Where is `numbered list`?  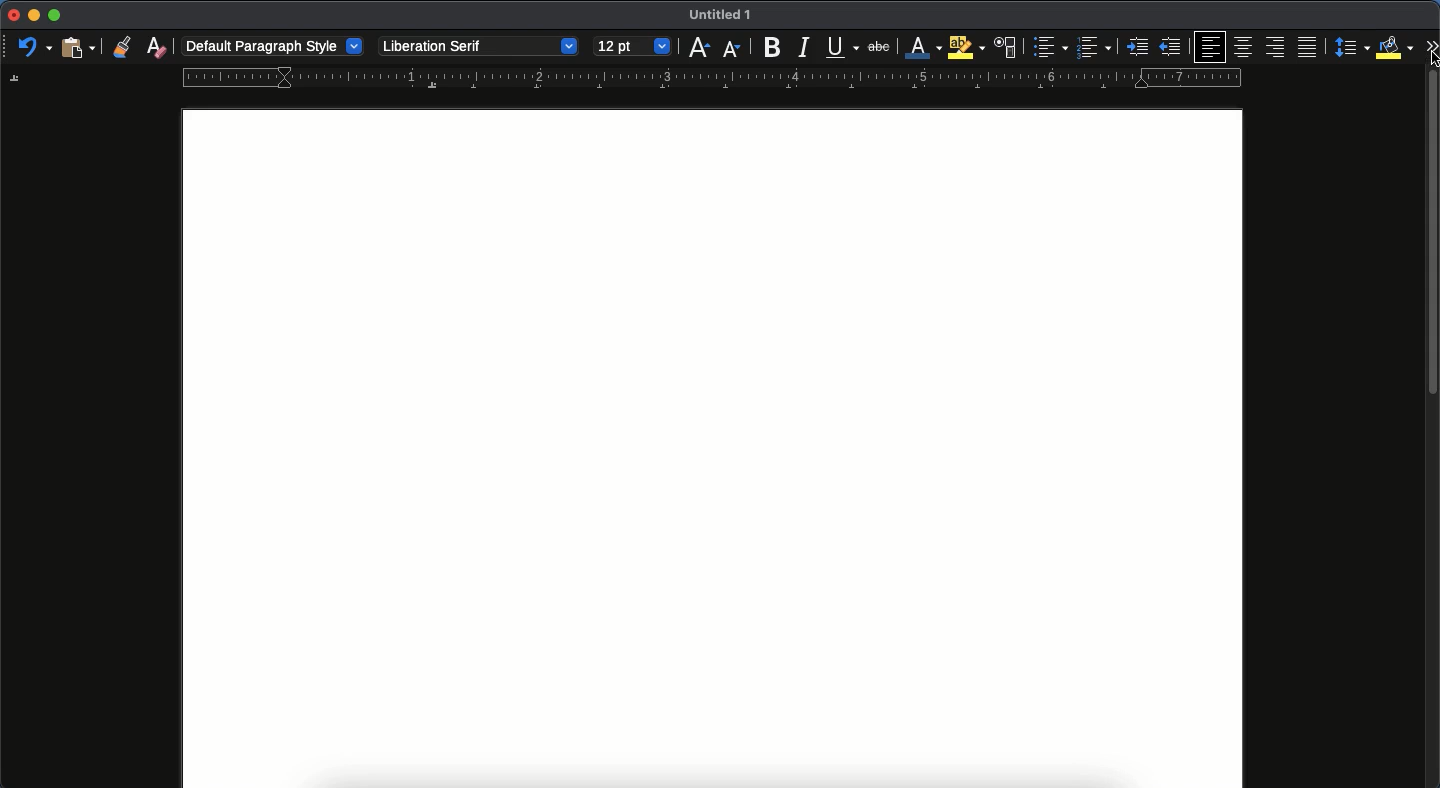
numbered list is located at coordinates (1093, 49).